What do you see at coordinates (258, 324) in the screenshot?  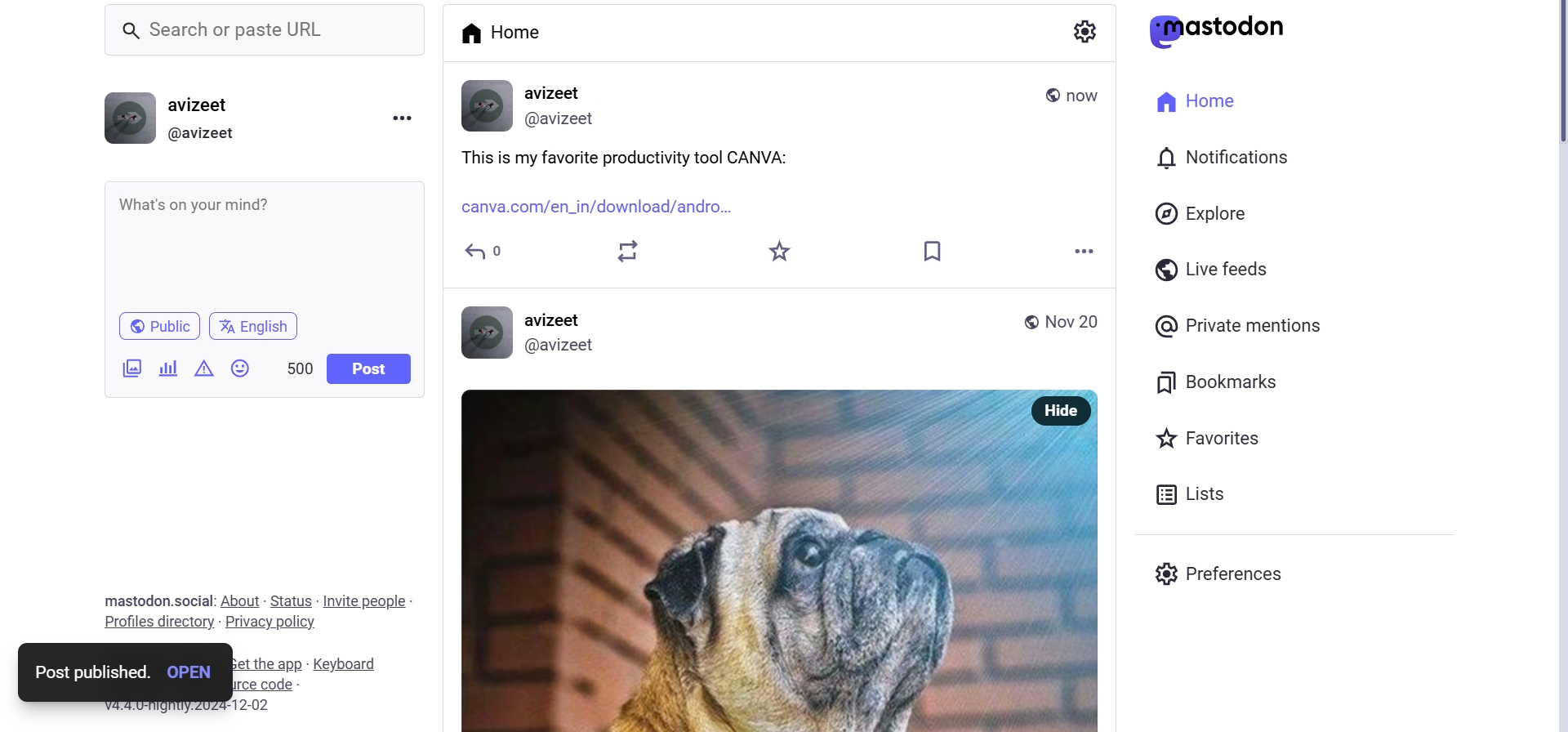 I see `english` at bounding box center [258, 324].